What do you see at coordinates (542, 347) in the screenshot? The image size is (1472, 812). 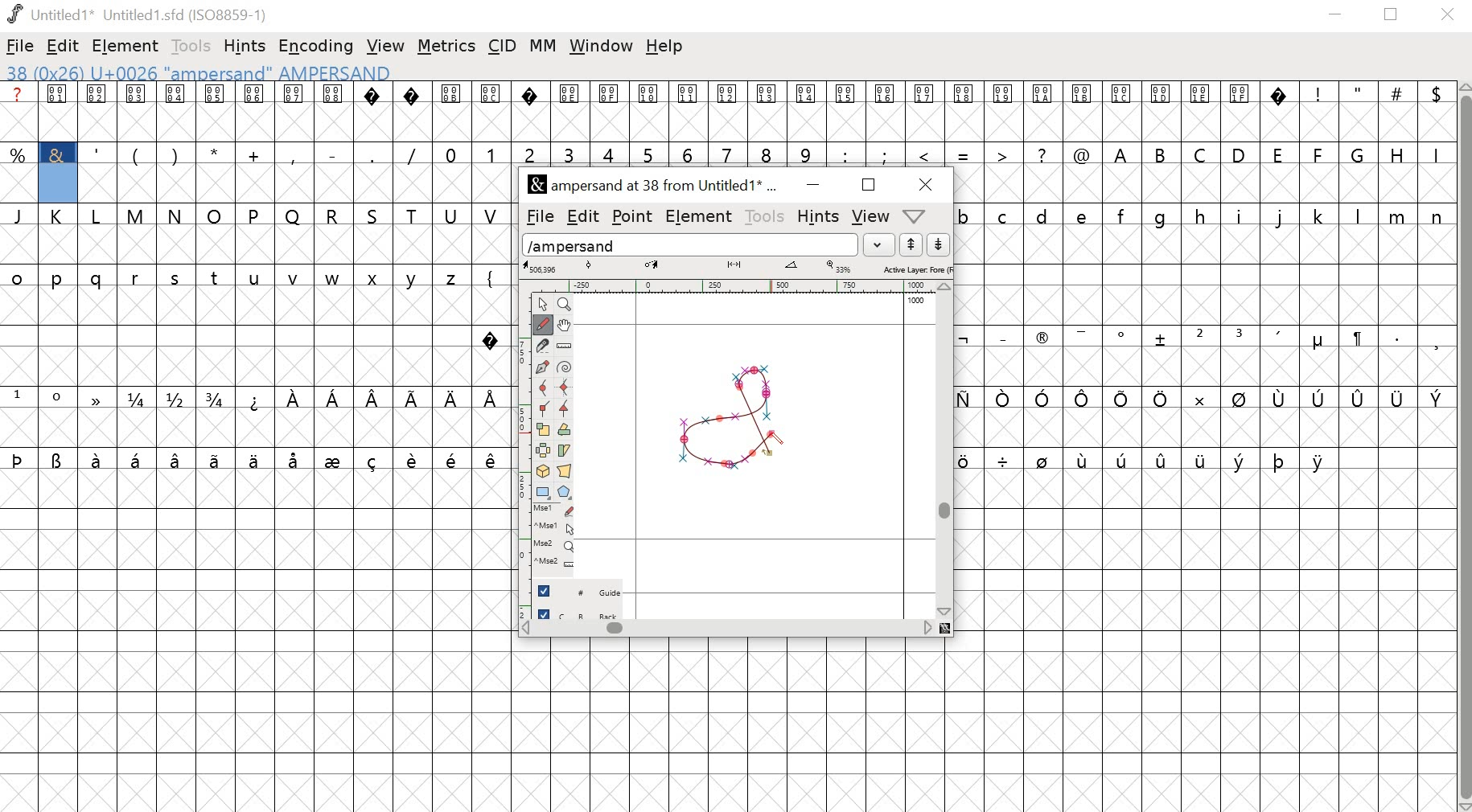 I see `cut splines in two` at bounding box center [542, 347].